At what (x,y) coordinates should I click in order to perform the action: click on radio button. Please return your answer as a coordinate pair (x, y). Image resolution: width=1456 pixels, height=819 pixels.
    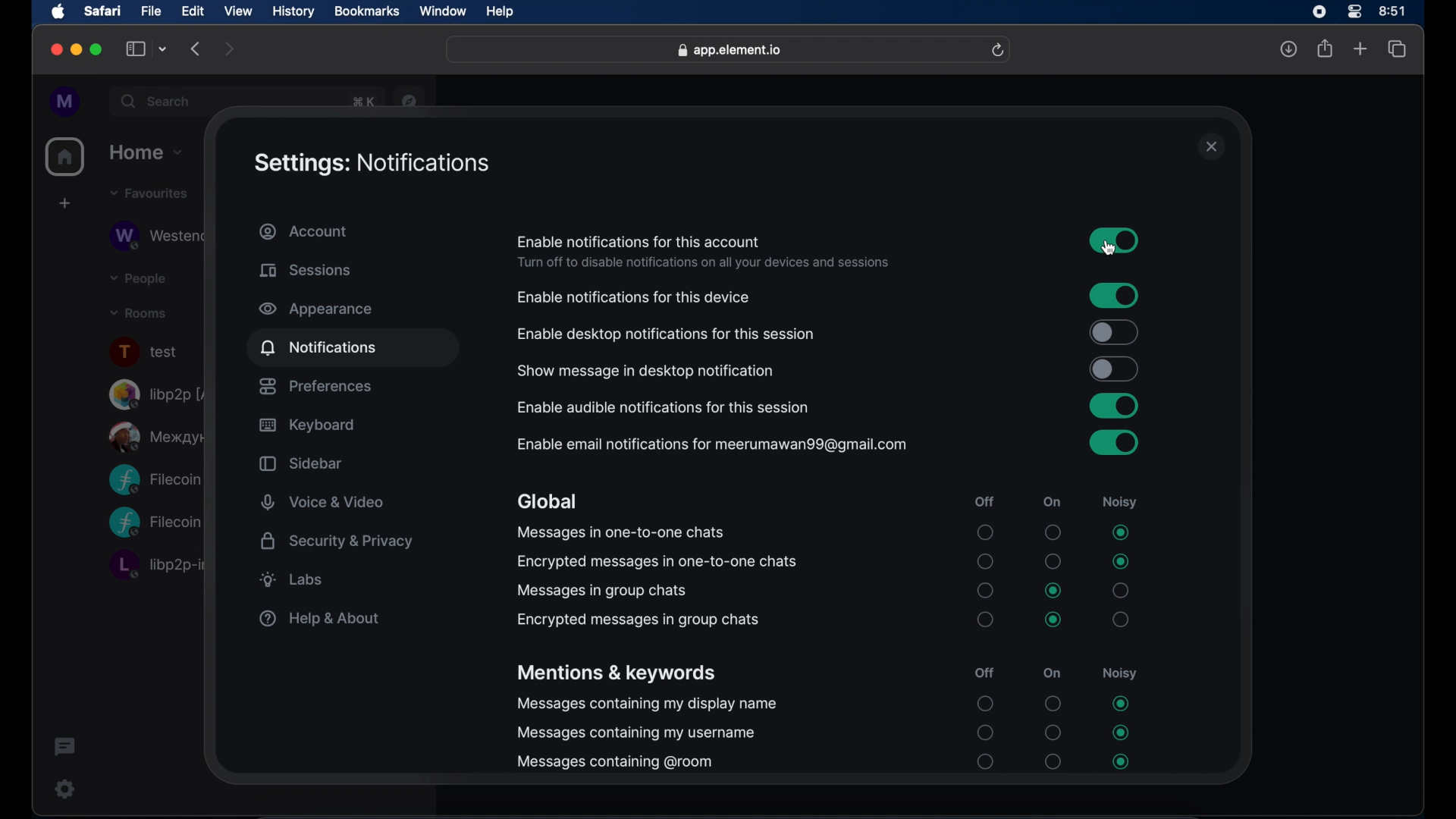
    Looking at the image, I should click on (1121, 733).